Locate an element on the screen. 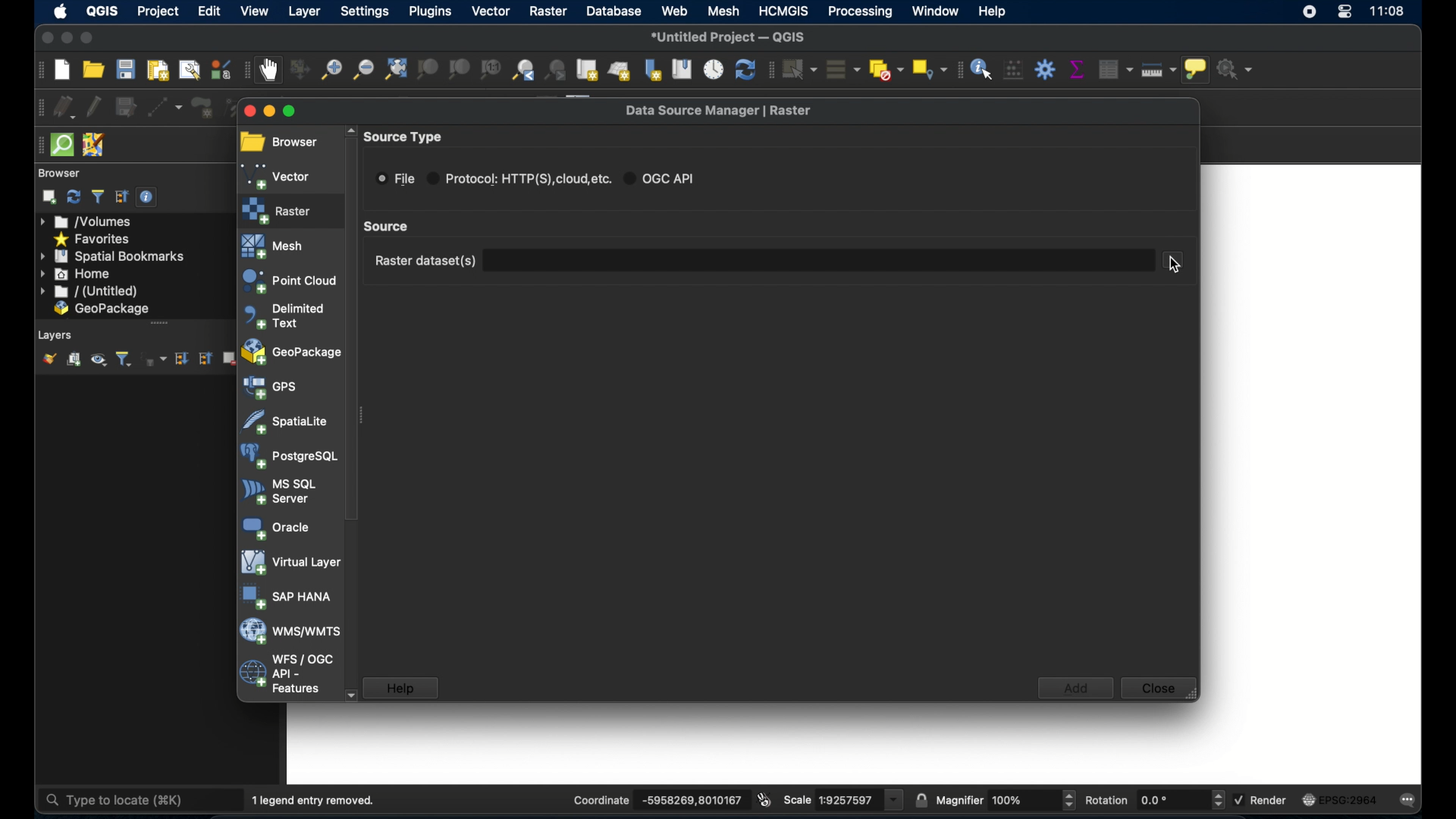 This screenshot has width=1456, height=819. add is located at coordinates (1073, 688).